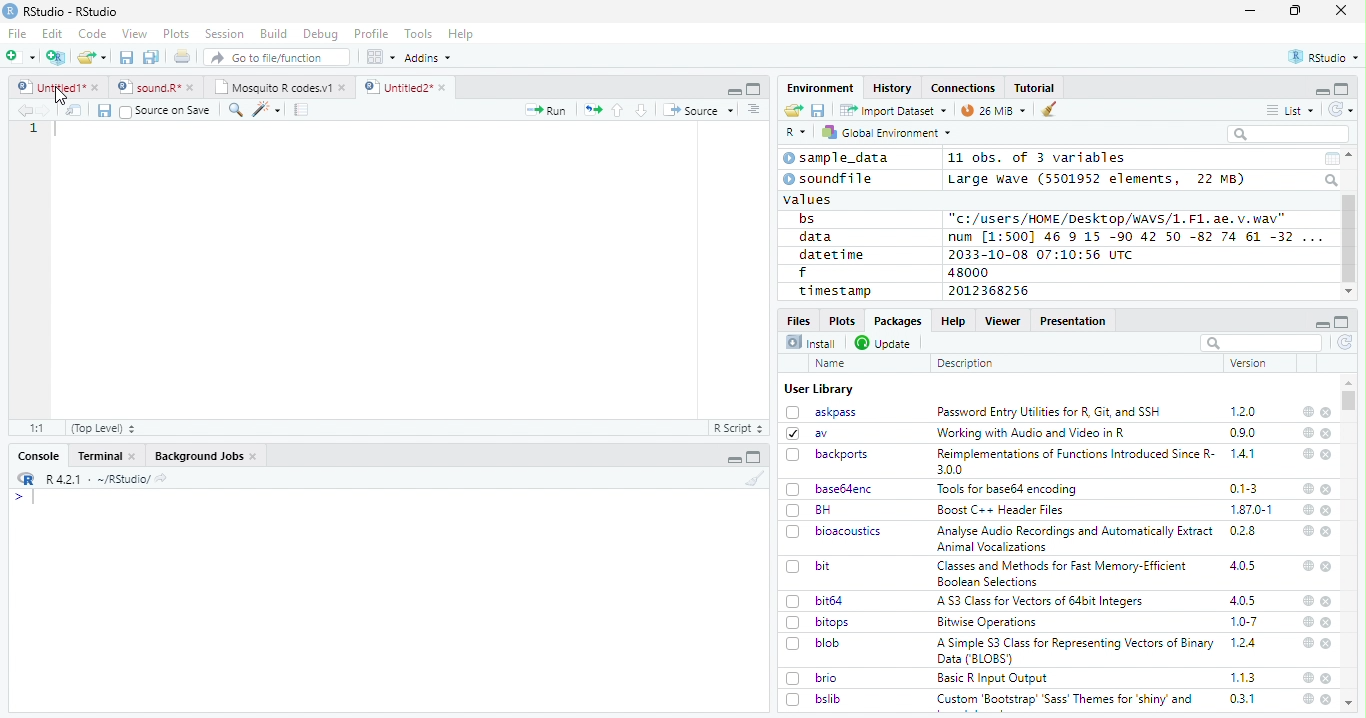 This screenshot has height=718, width=1366. I want to click on Re-run the previous code region, so click(591, 111).